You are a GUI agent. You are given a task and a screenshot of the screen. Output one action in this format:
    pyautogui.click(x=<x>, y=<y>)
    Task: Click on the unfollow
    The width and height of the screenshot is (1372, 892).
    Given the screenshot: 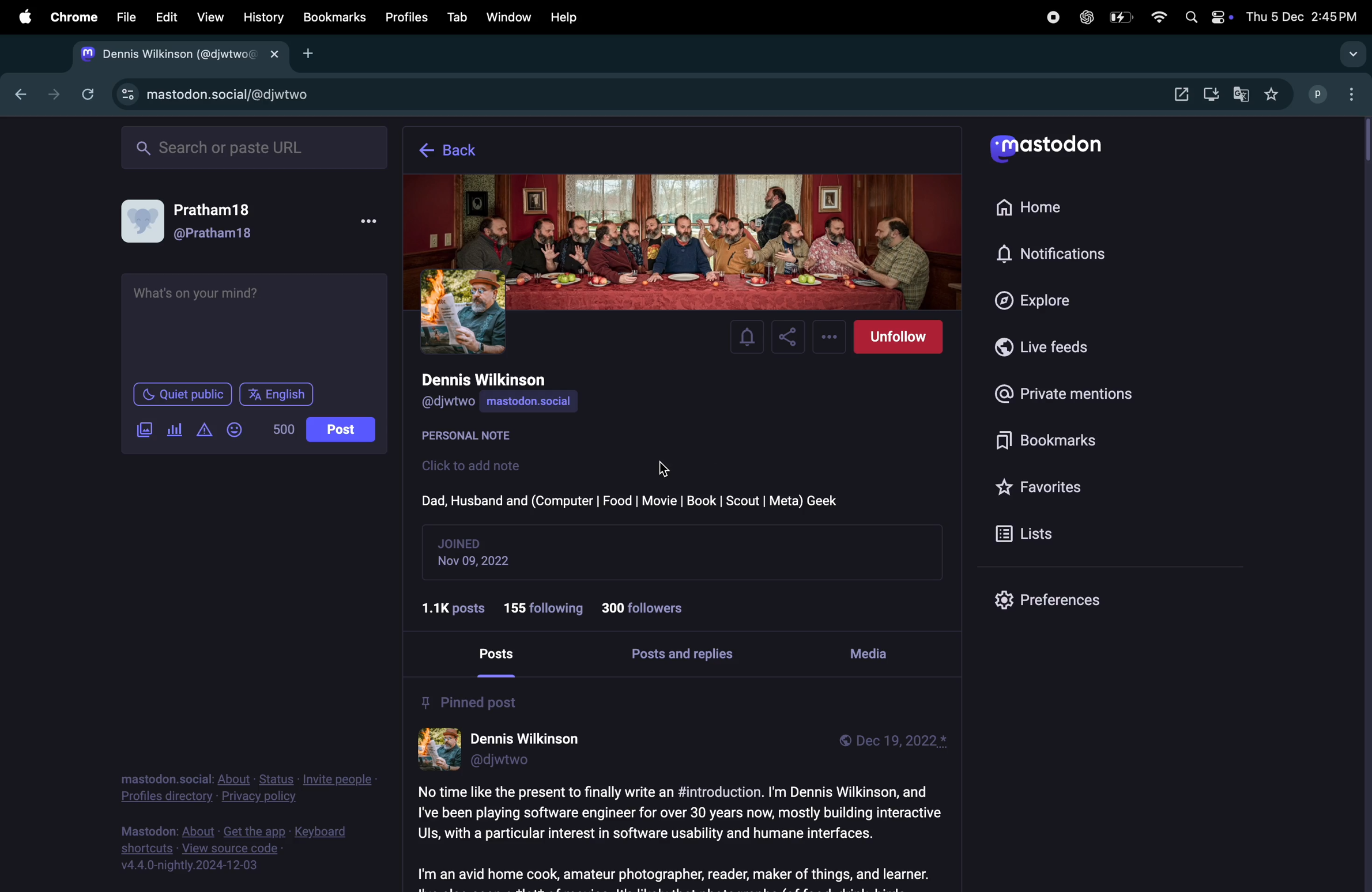 What is the action you would take?
    pyautogui.click(x=898, y=338)
    